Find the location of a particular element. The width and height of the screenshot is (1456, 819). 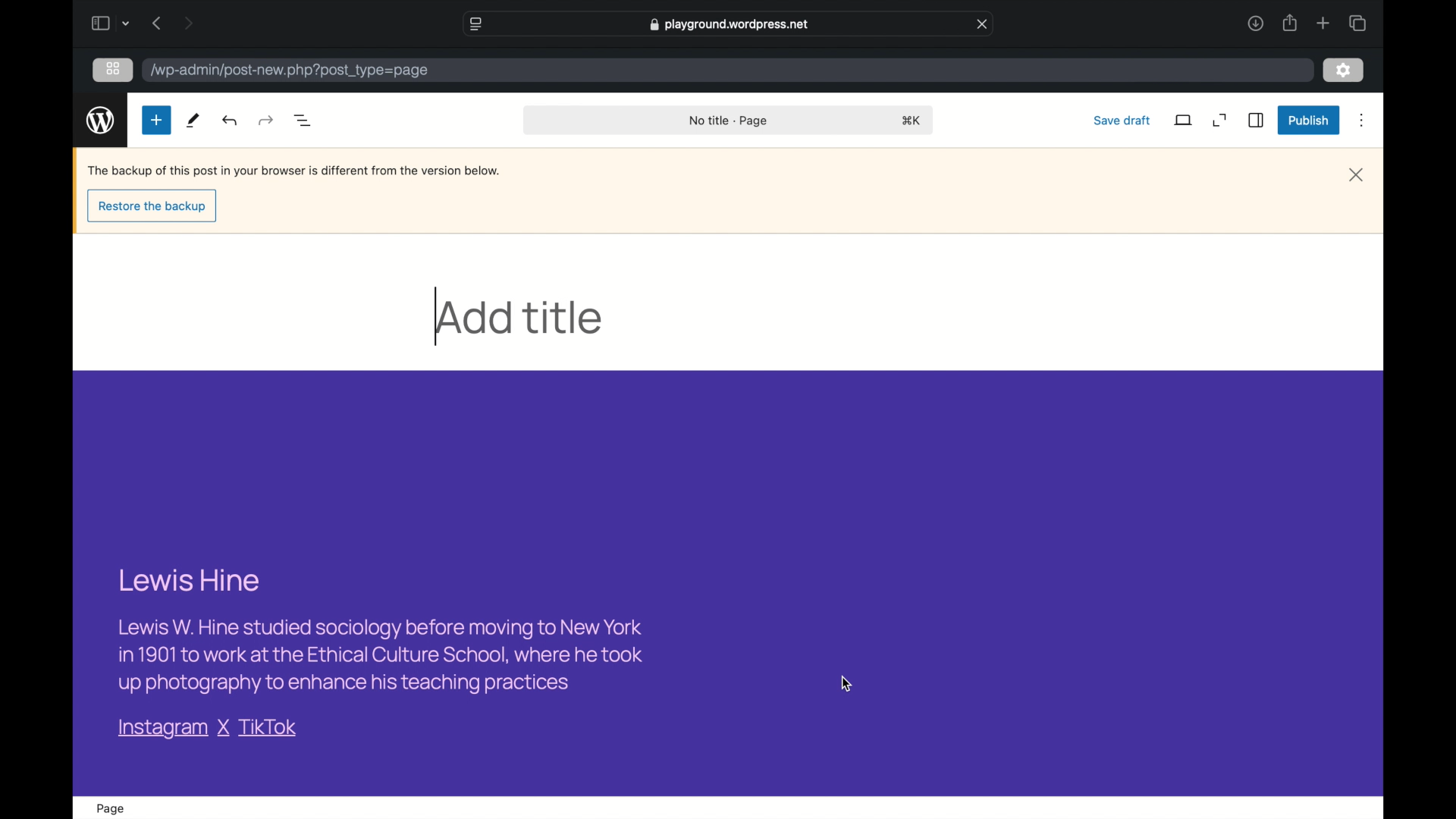

downloads is located at coordinates (1255, 24).